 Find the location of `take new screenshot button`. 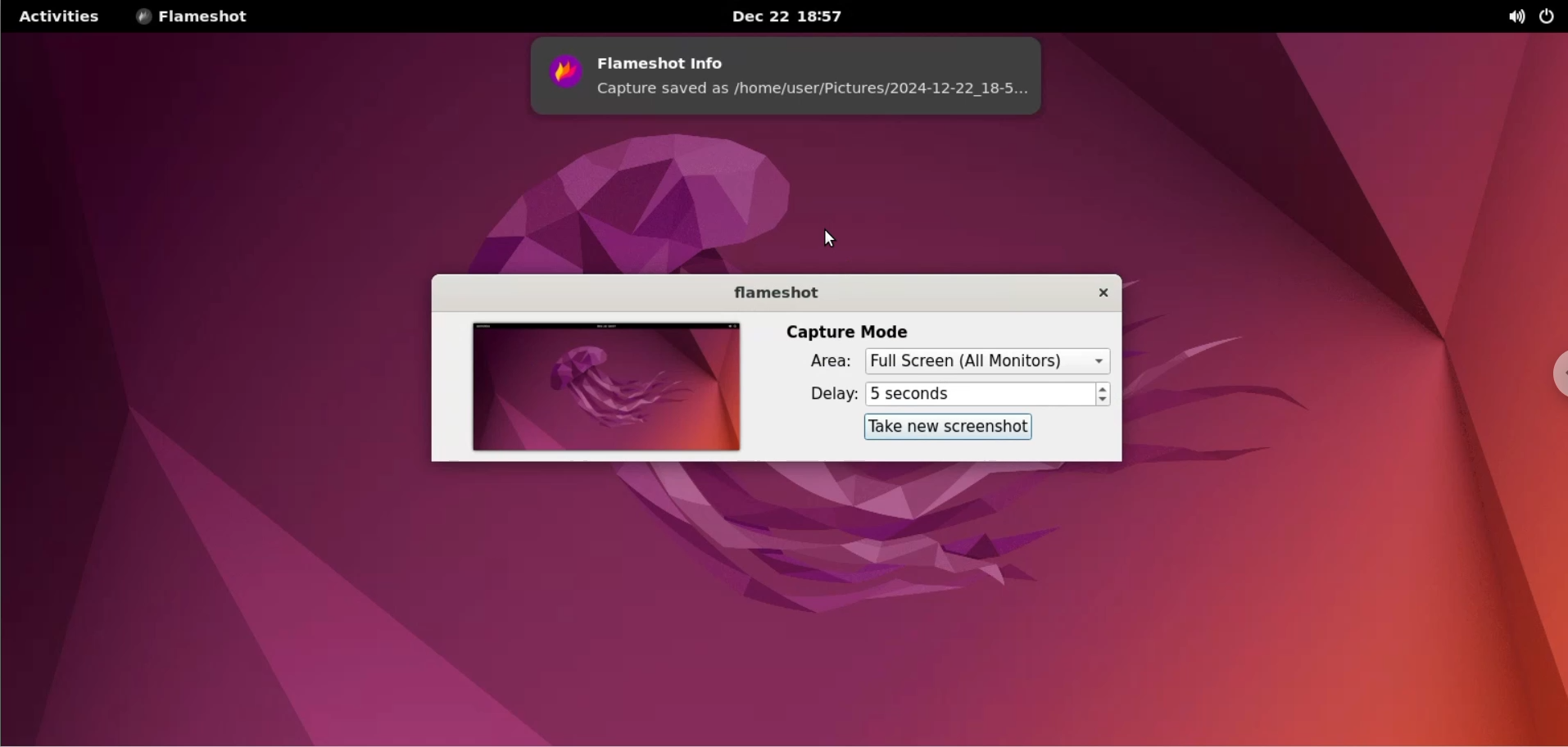

take new screenshot button is located at coordinates (942, 428).